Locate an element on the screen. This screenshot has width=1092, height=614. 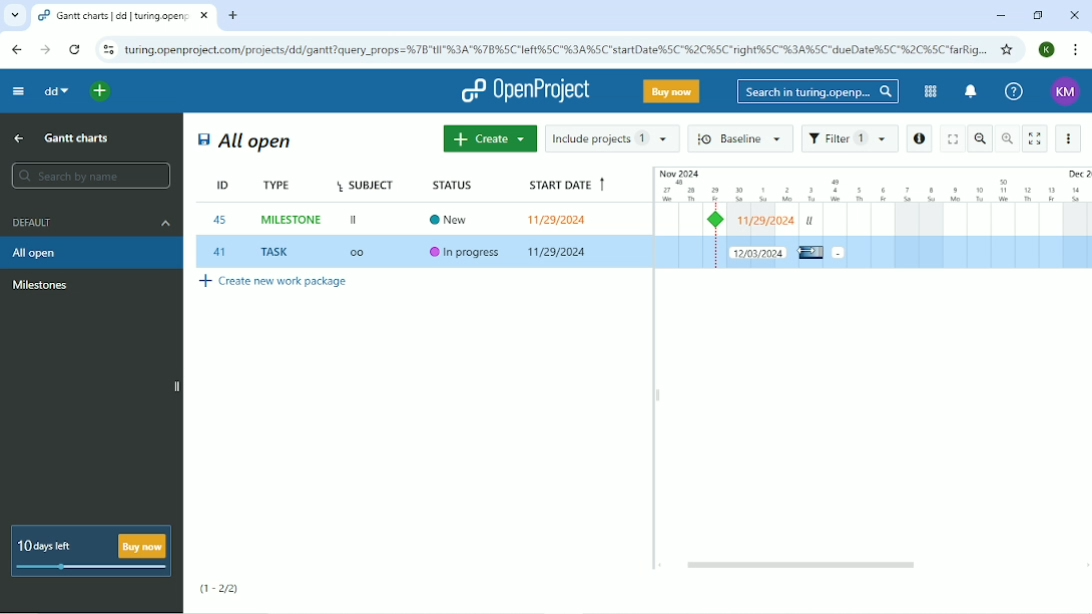
View site information is located at coordinates (107, 50).